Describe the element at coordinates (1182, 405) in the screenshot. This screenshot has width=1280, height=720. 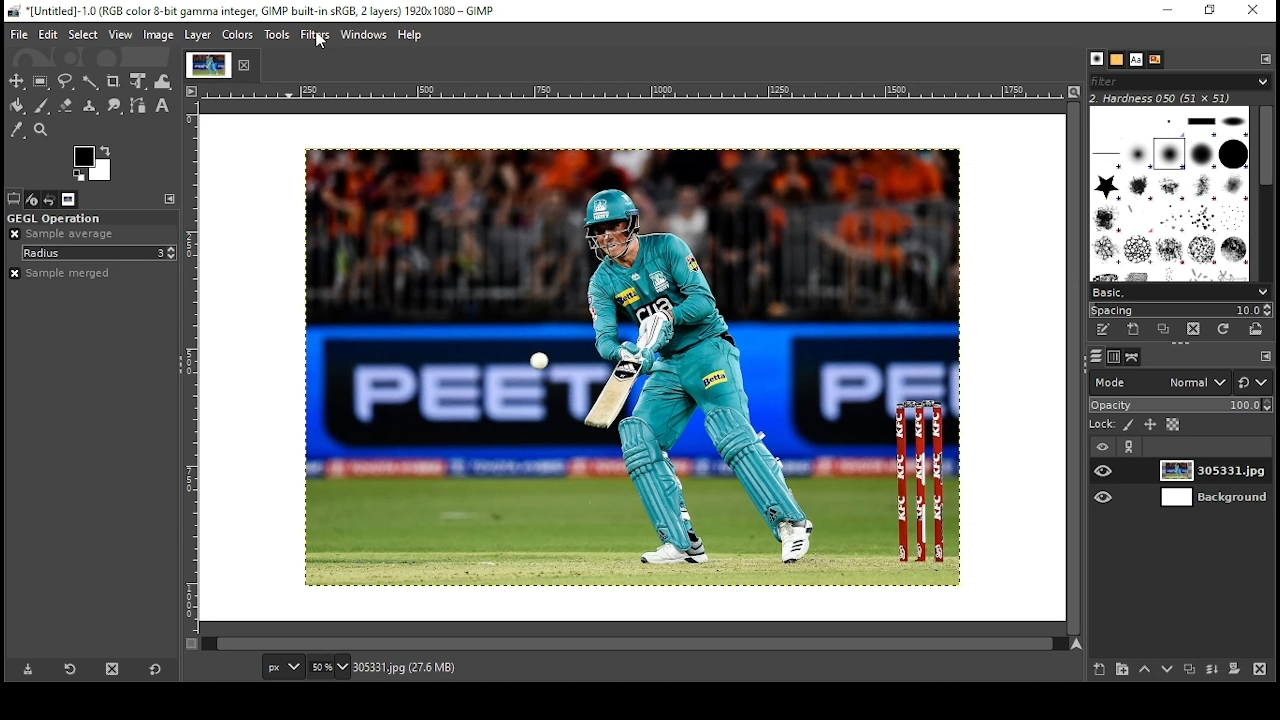
I see `opacity` at that location.